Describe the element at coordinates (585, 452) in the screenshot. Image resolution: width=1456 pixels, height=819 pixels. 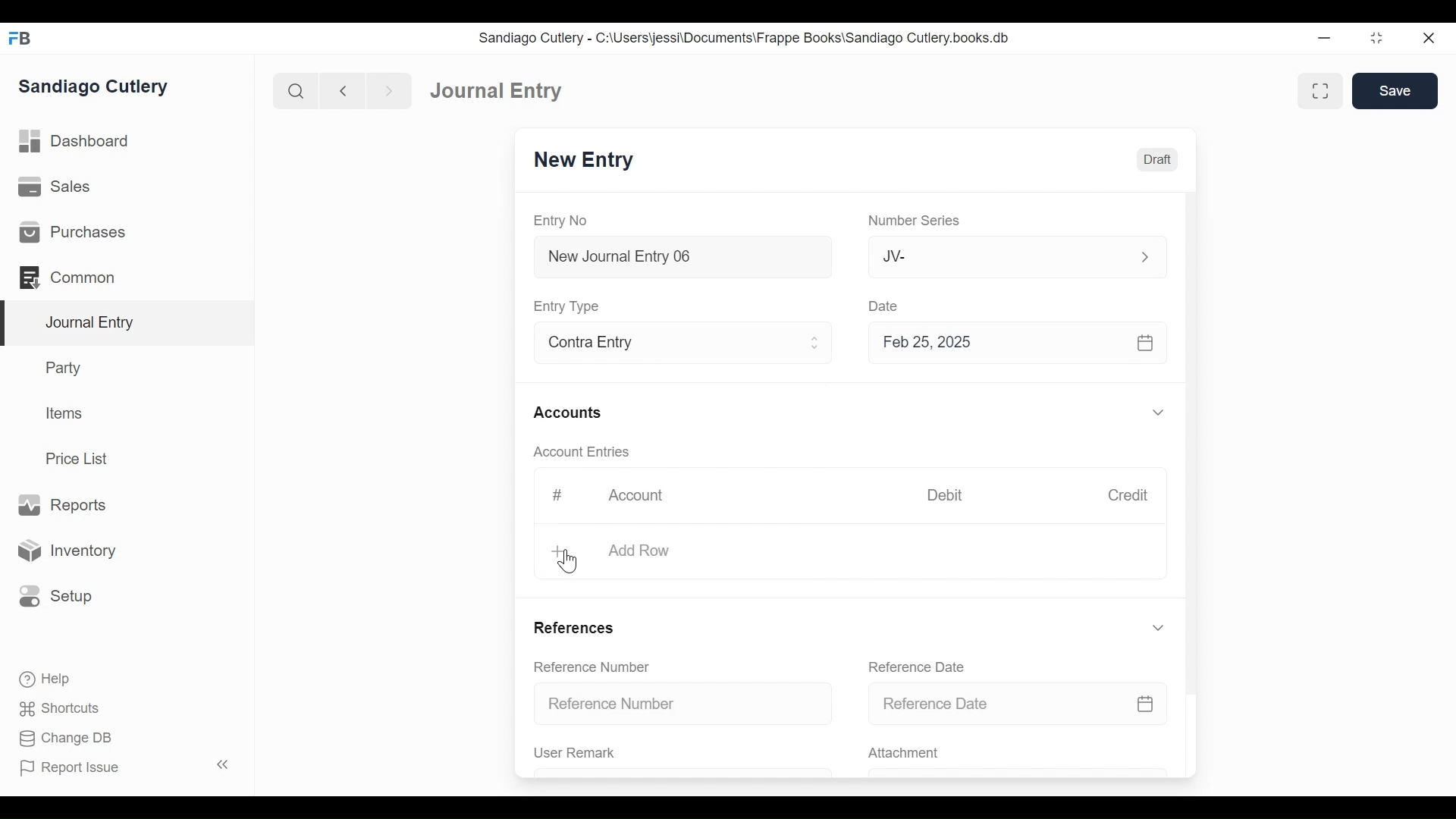
I see `Account Entries` at that location.